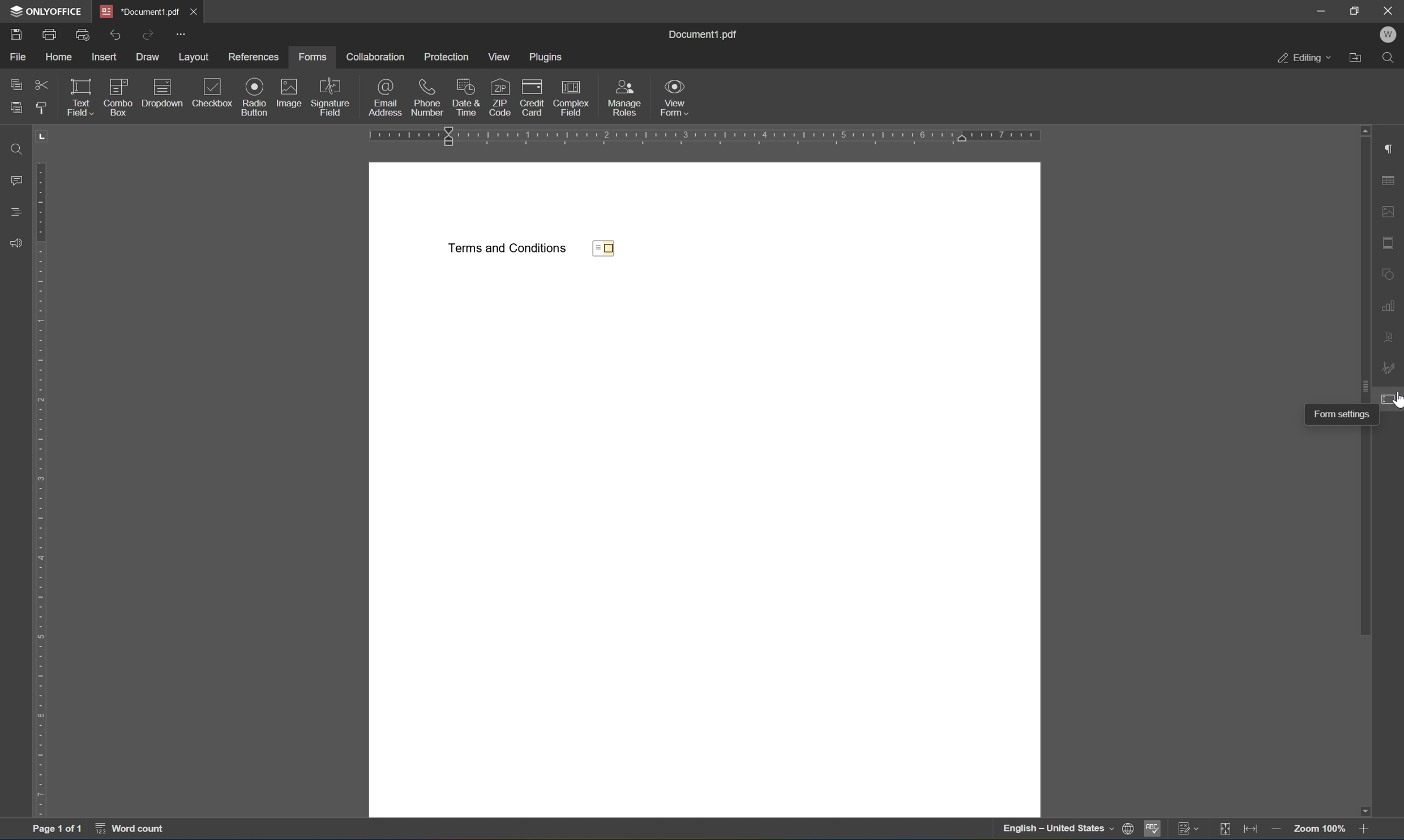 The width and height of the screenshot is (1404, 840). I want to click on copy style, so click(42, 110).